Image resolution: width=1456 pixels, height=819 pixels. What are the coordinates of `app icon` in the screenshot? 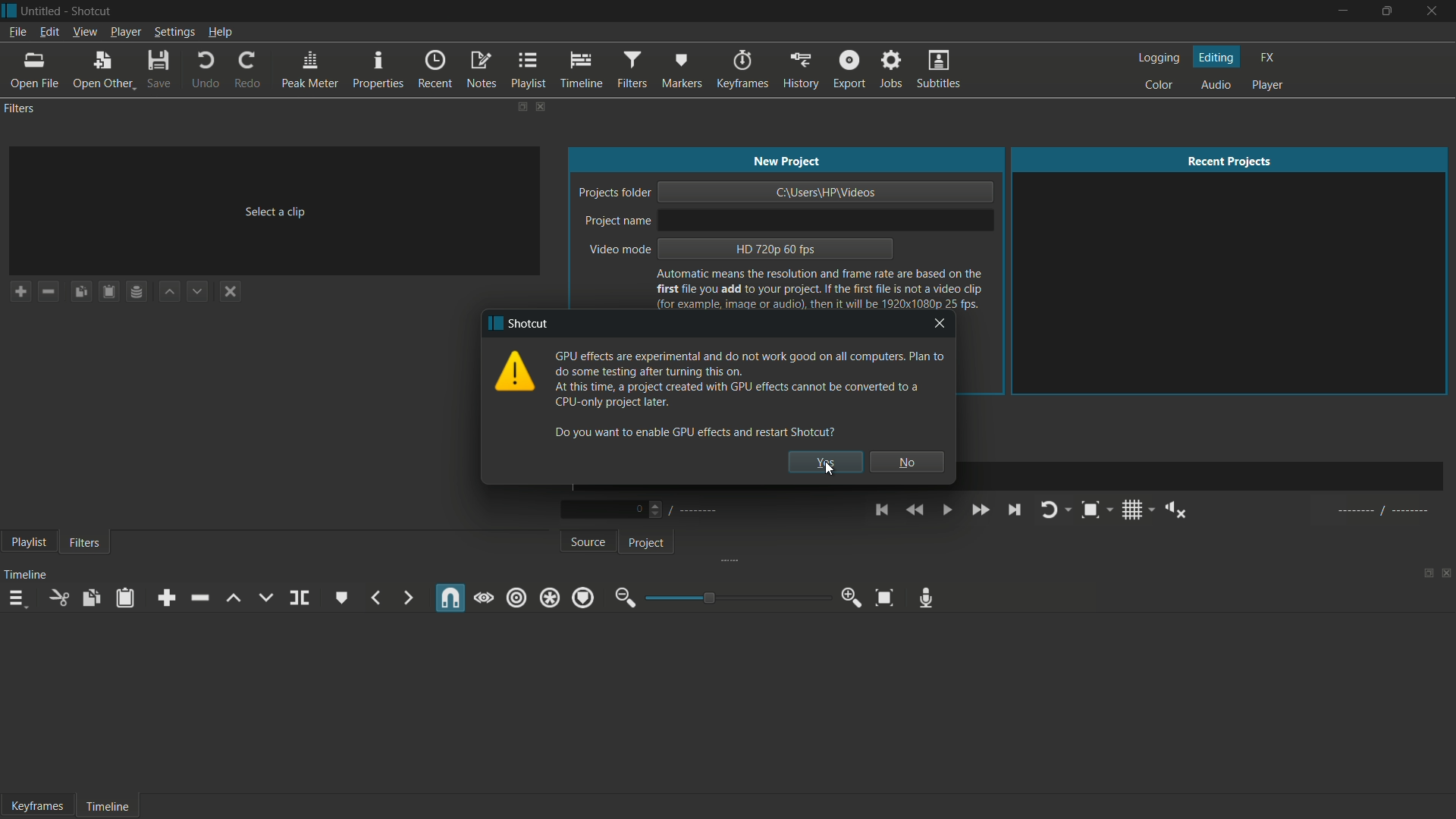 It's located at (492, 324).